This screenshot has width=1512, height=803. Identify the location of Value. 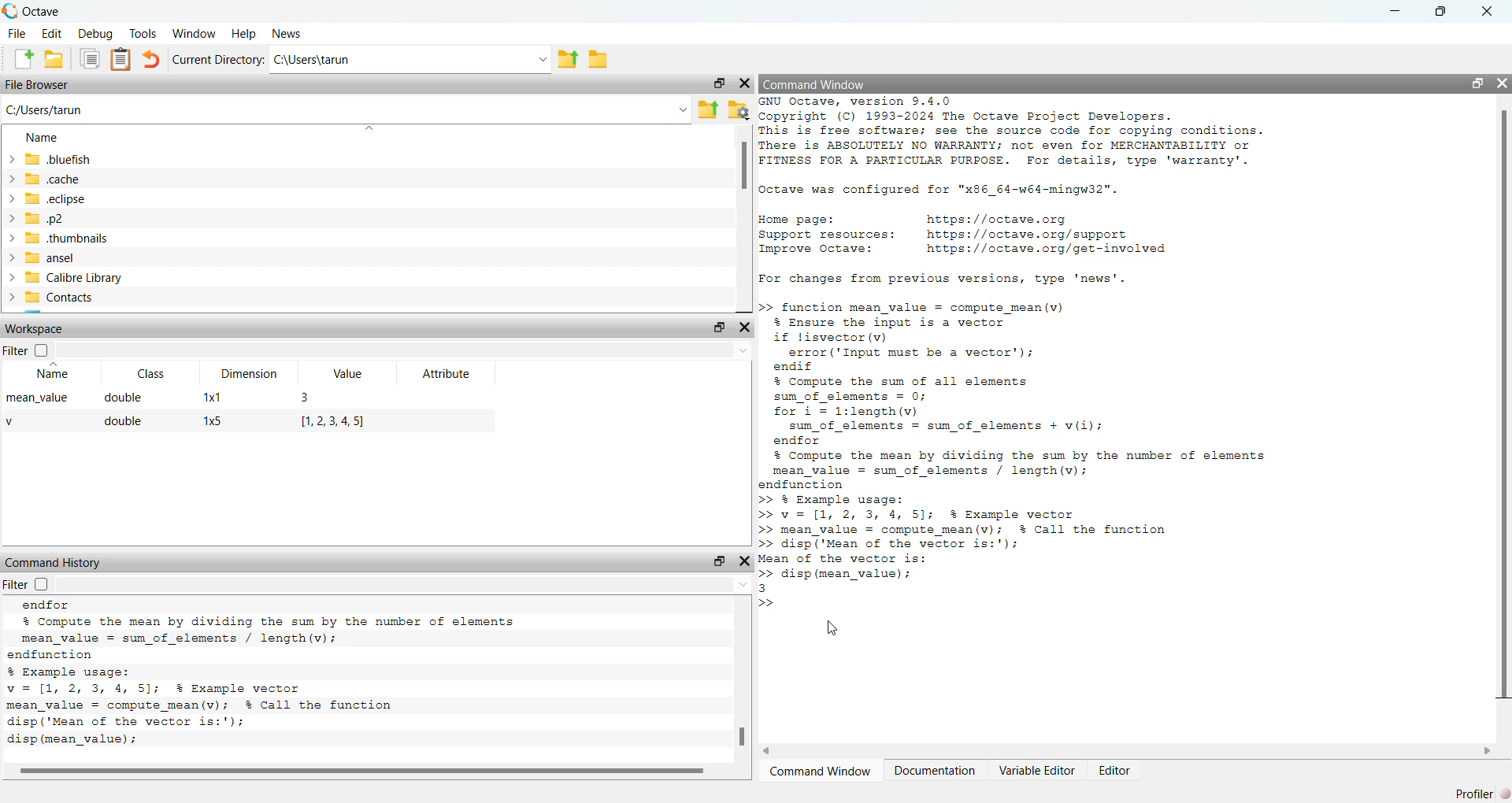
(348, 373).